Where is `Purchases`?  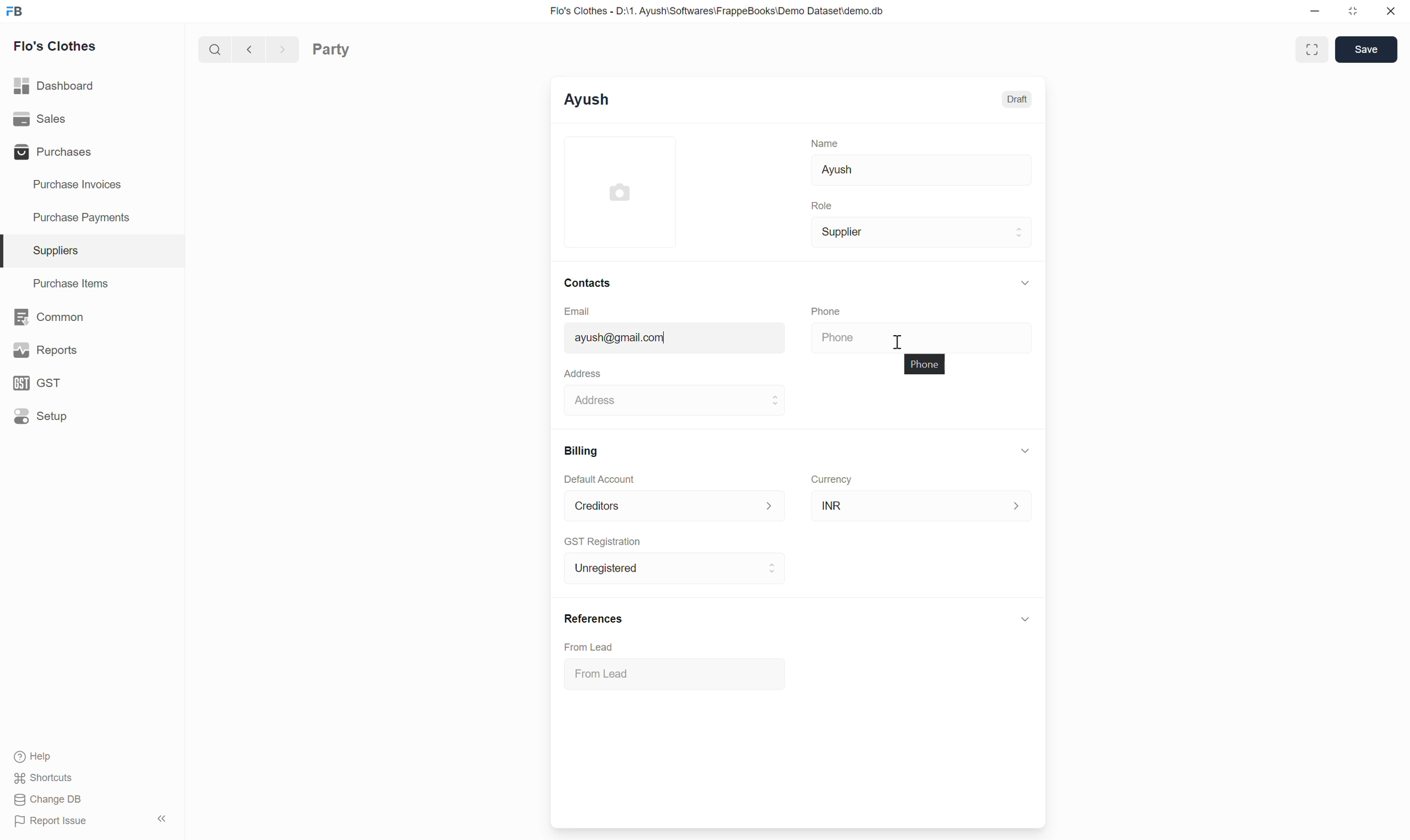
Purchases is located at coordinates (91, 152).